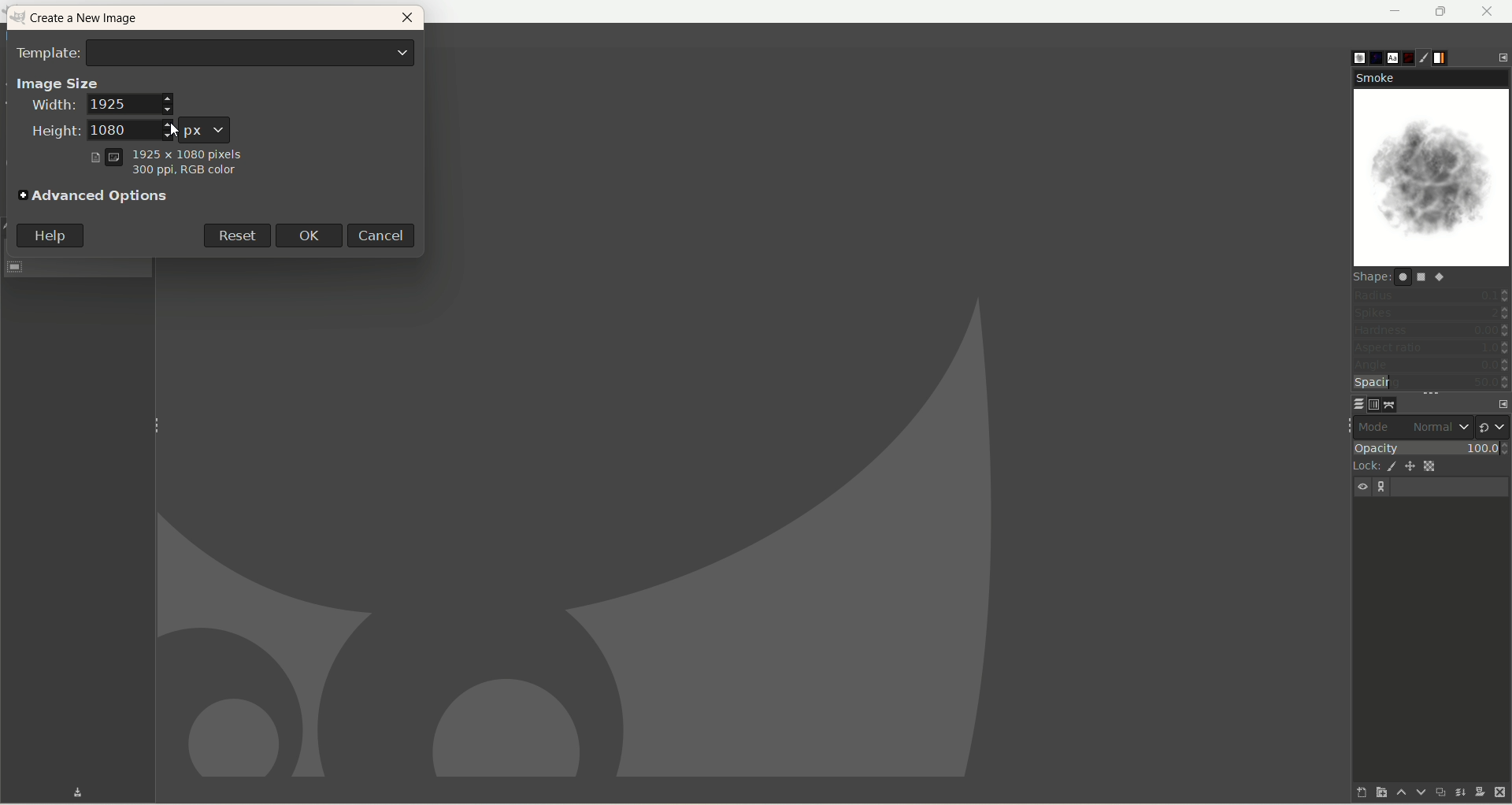 The width and height of the screenshot is (1512, 805). Describe the element at coordinates (1431, 315) in the screenshot. I see `spikes` at that location.